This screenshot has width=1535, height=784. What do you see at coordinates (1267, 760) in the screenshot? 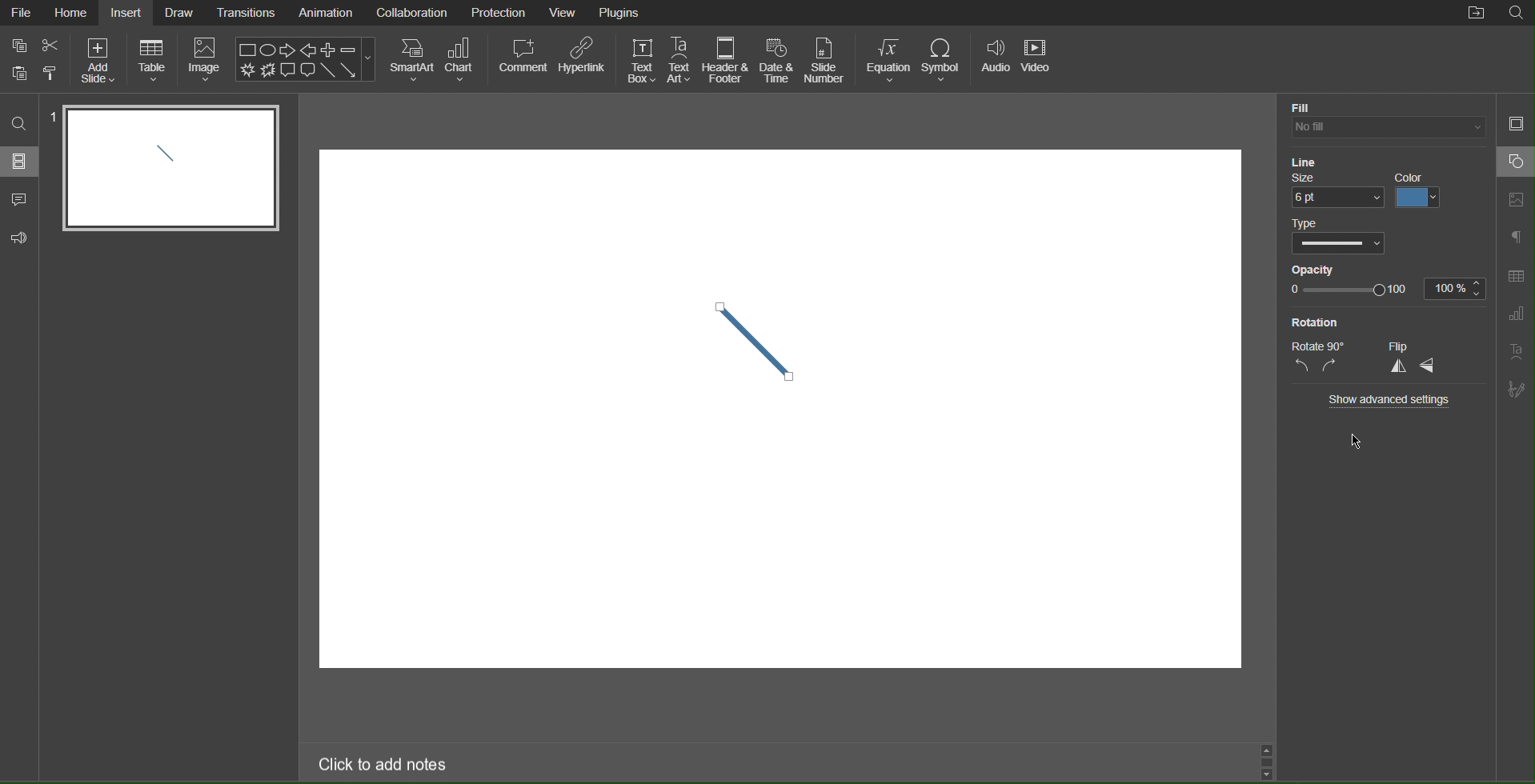
I see `Scroll Up and Down Buttons` at bounding box center [1267, 760].